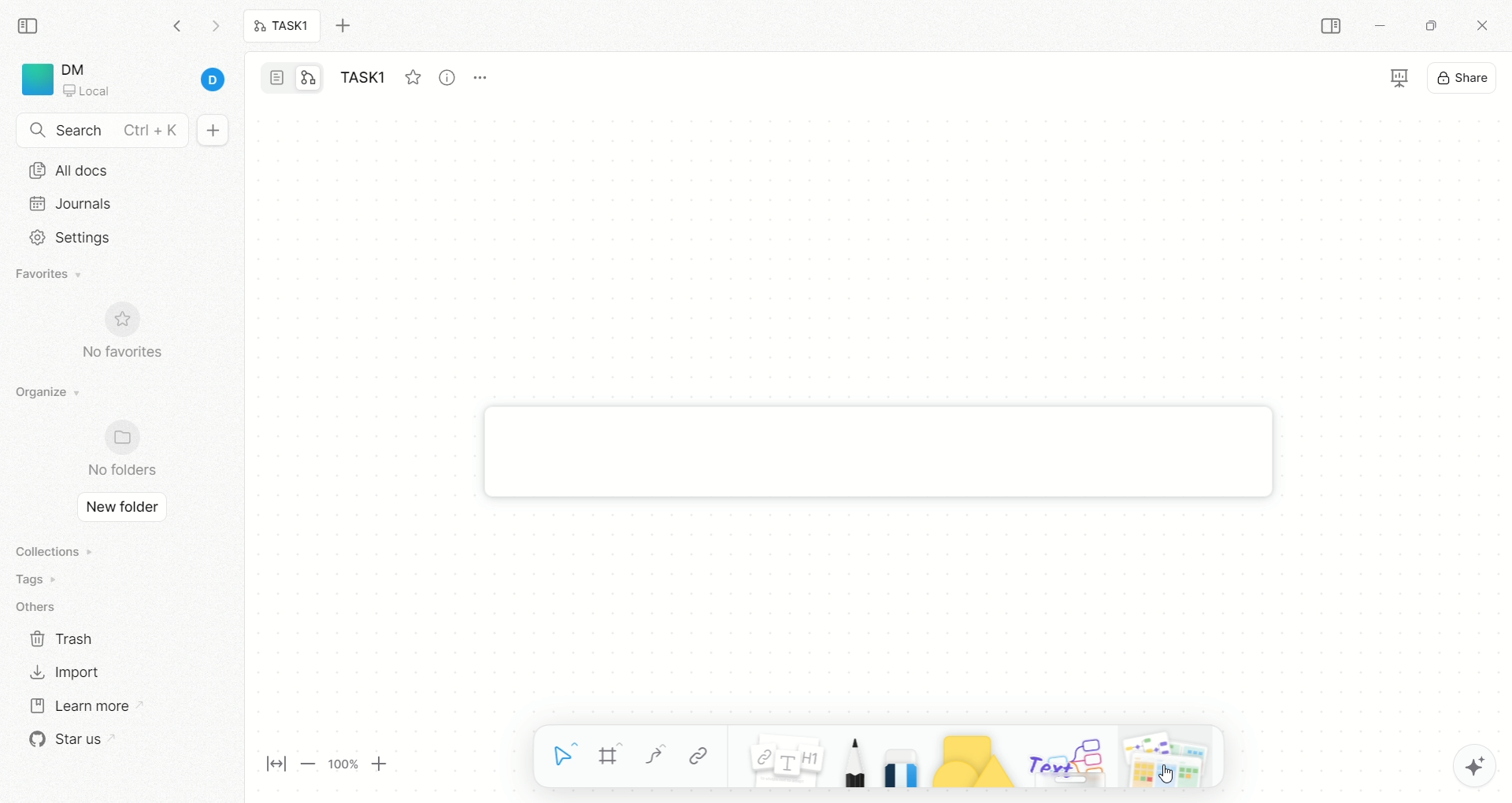  What do you see at coordinates (1464, 76) in the screenshot?
I see `share` at bounding box center [1464, 76].